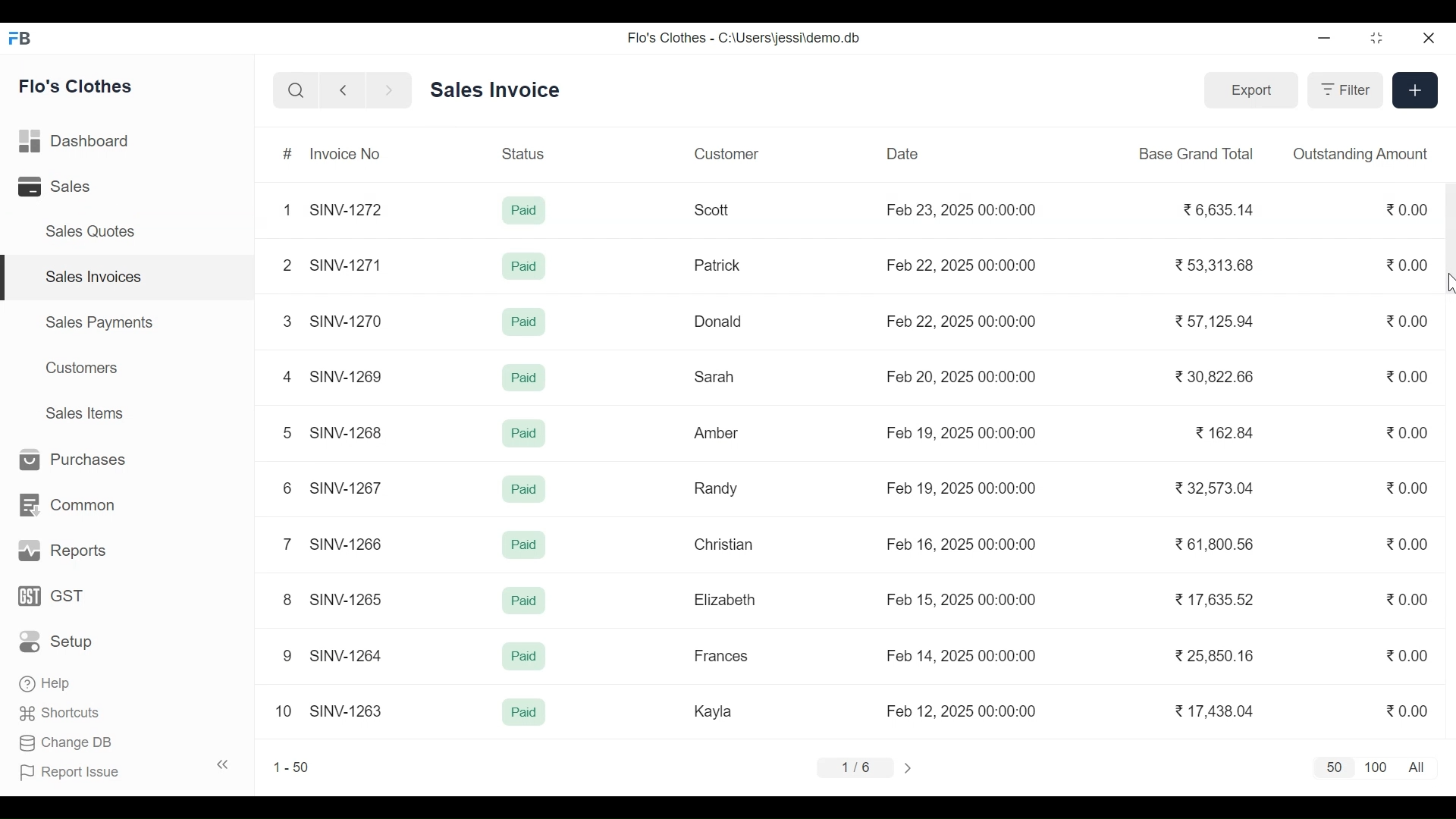 The height and width of the screenshot is (819, 1456). I want to click on Customer, so click(726, 153).